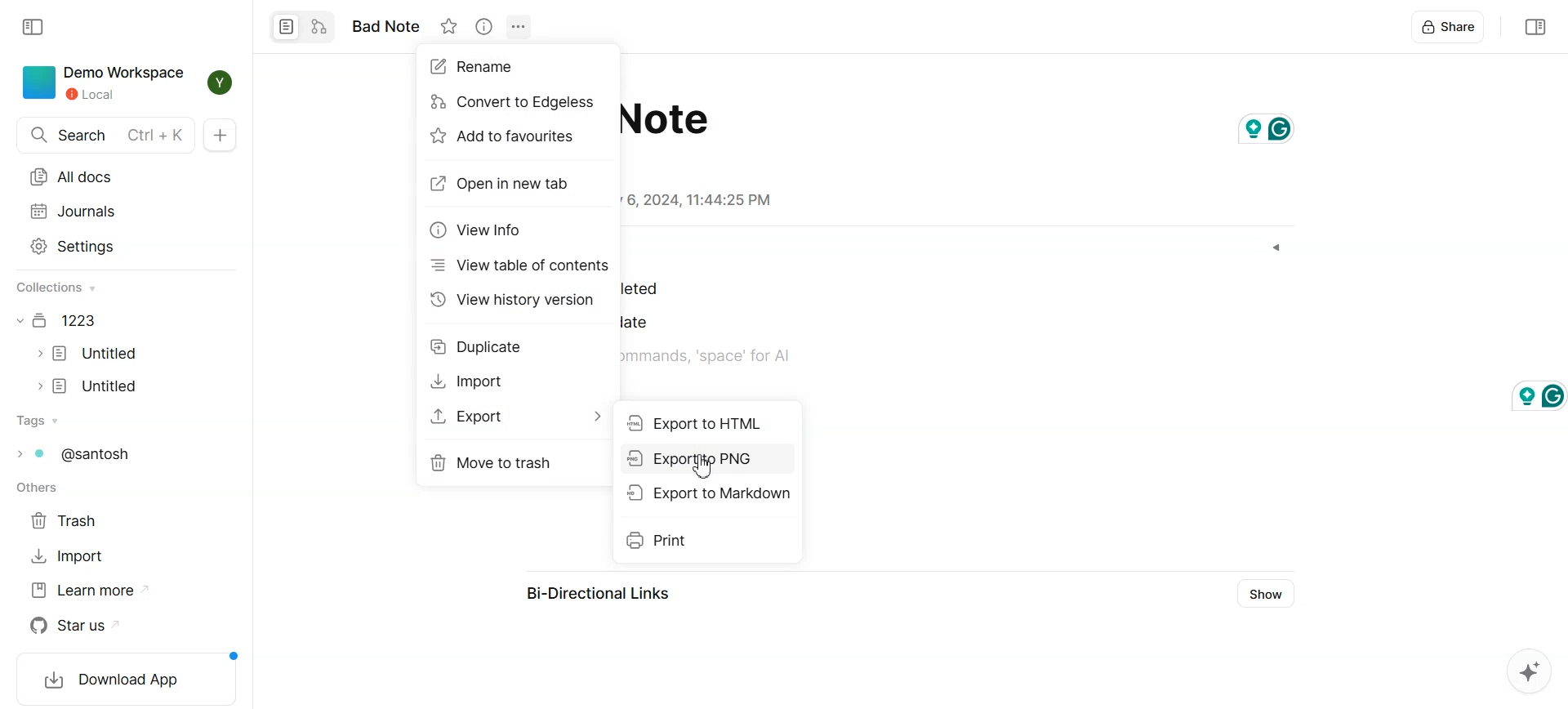  What do you see at coordinates (286, 26) in the screenshot?
I see `Convert to Page` at bounding box center [286, 26].